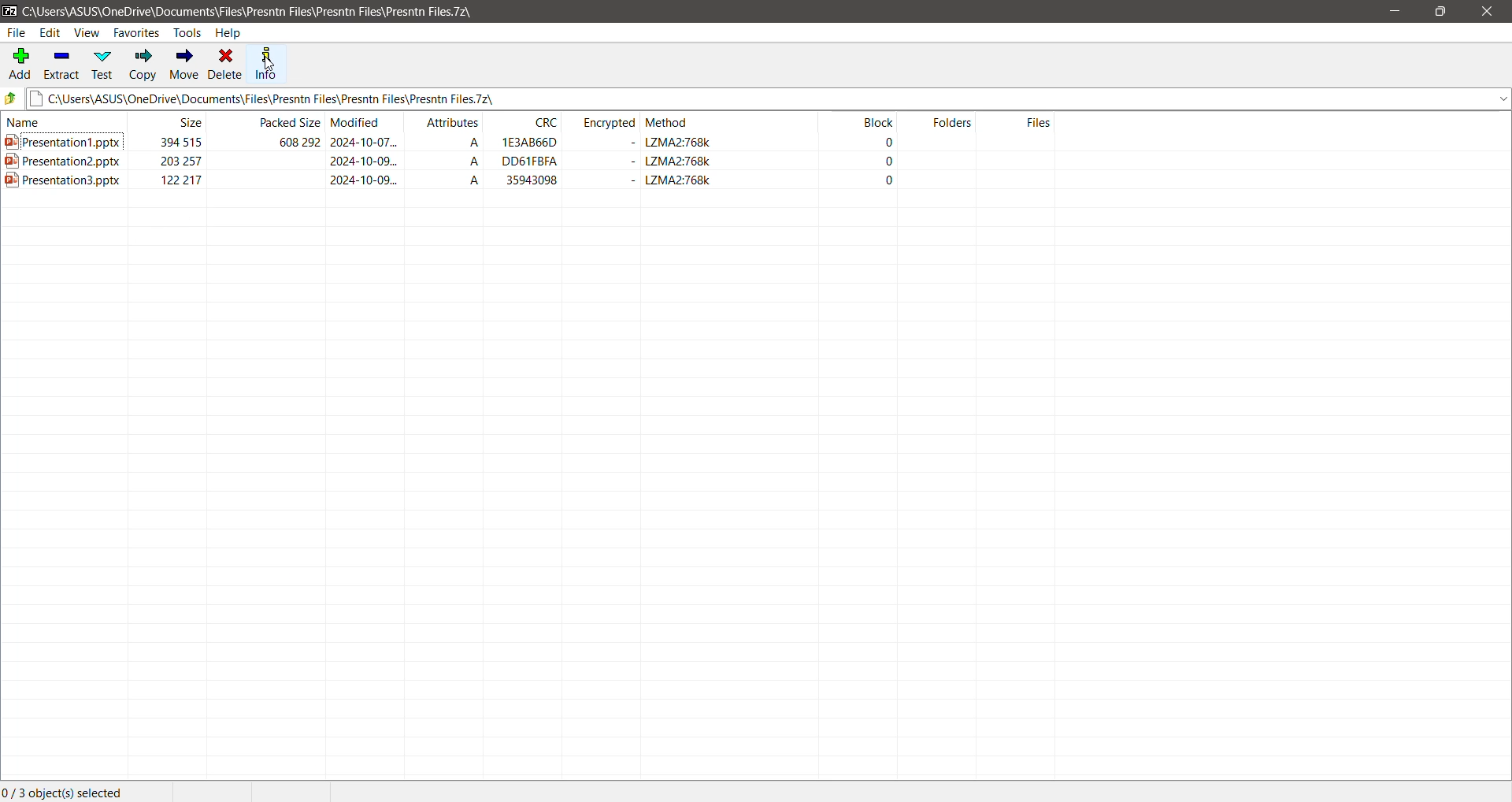  I want to click on Move Up one level, so click(13, 98).